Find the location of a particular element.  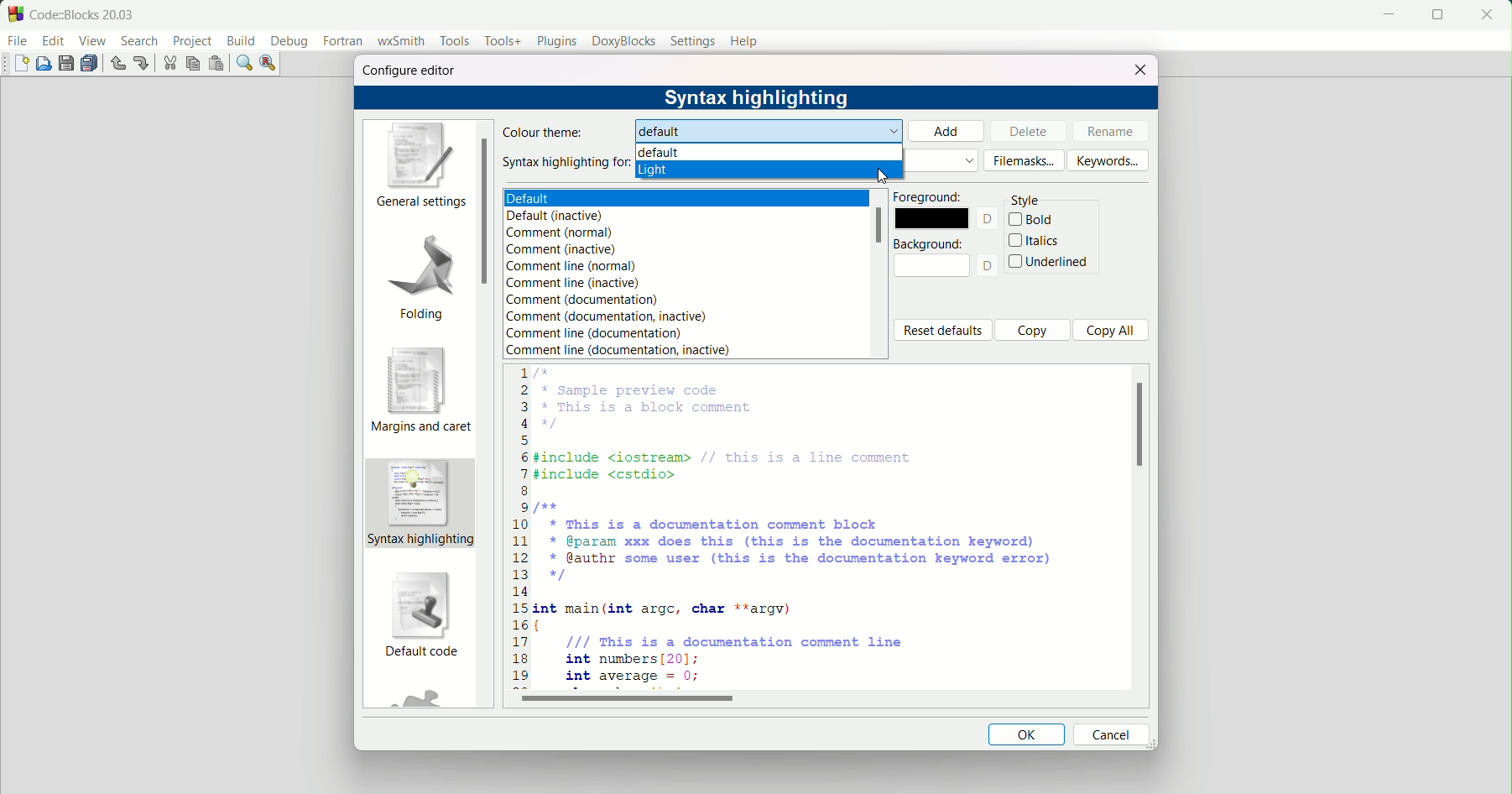

margins and caret is located at coordinates (420, 391).